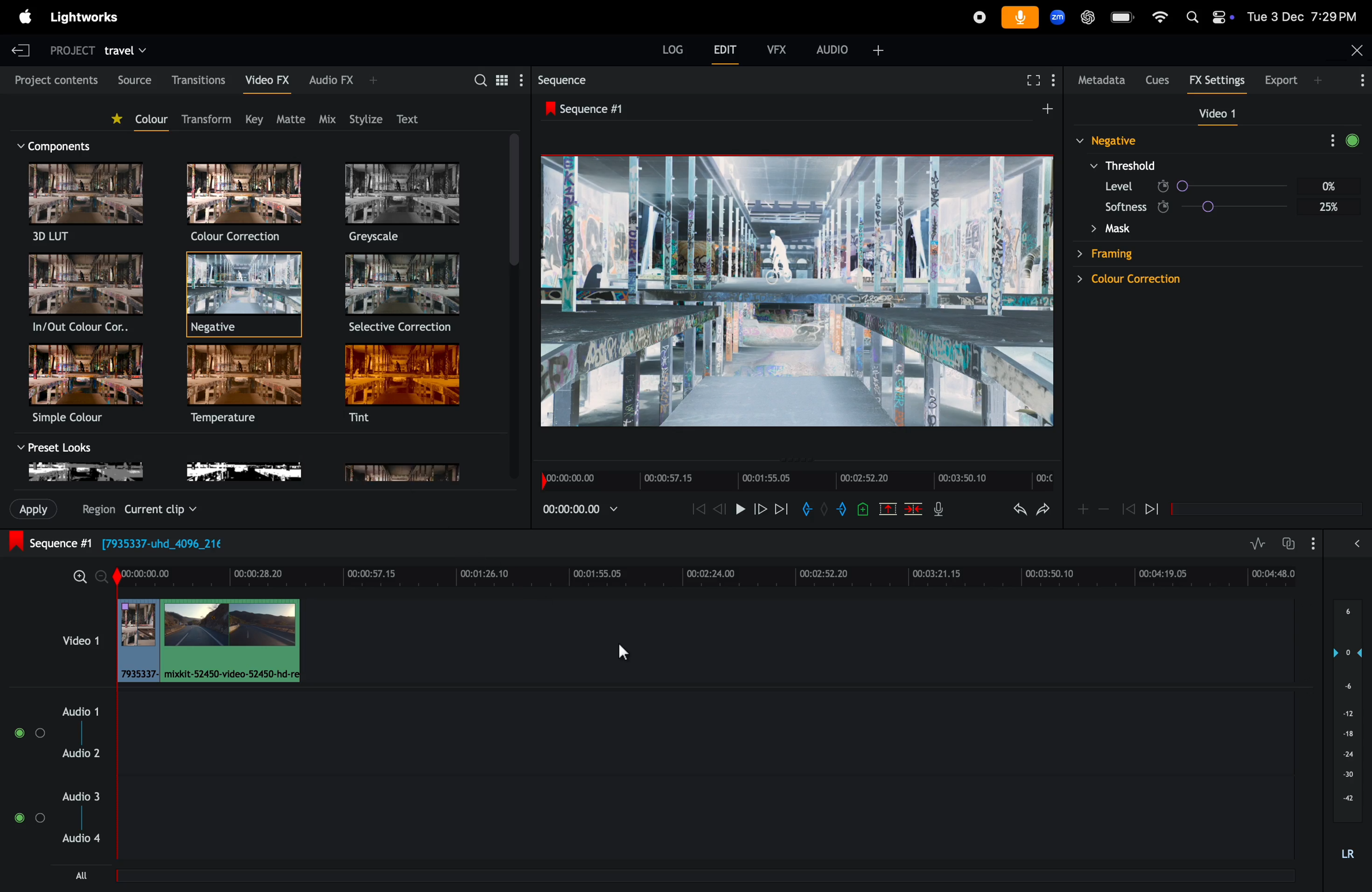 This screenshot has width=1372, height=892. What do you see at coordinates (86, 463) in the screenshot?
I see `black and white` at bounding box center [86, 463].